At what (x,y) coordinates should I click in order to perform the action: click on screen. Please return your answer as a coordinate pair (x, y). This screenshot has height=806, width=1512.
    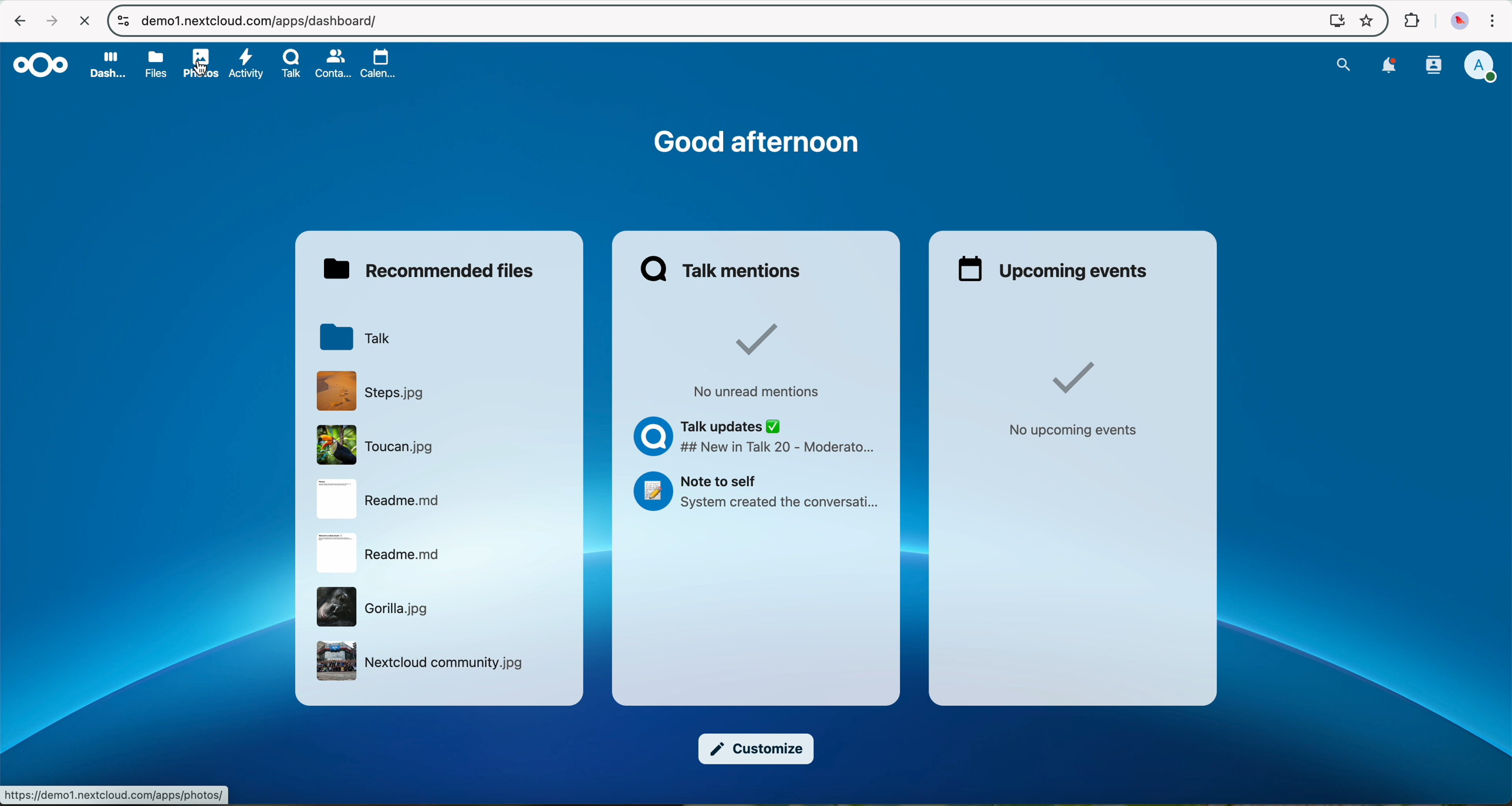
    Looking at the image, I should click on (1331, 20).